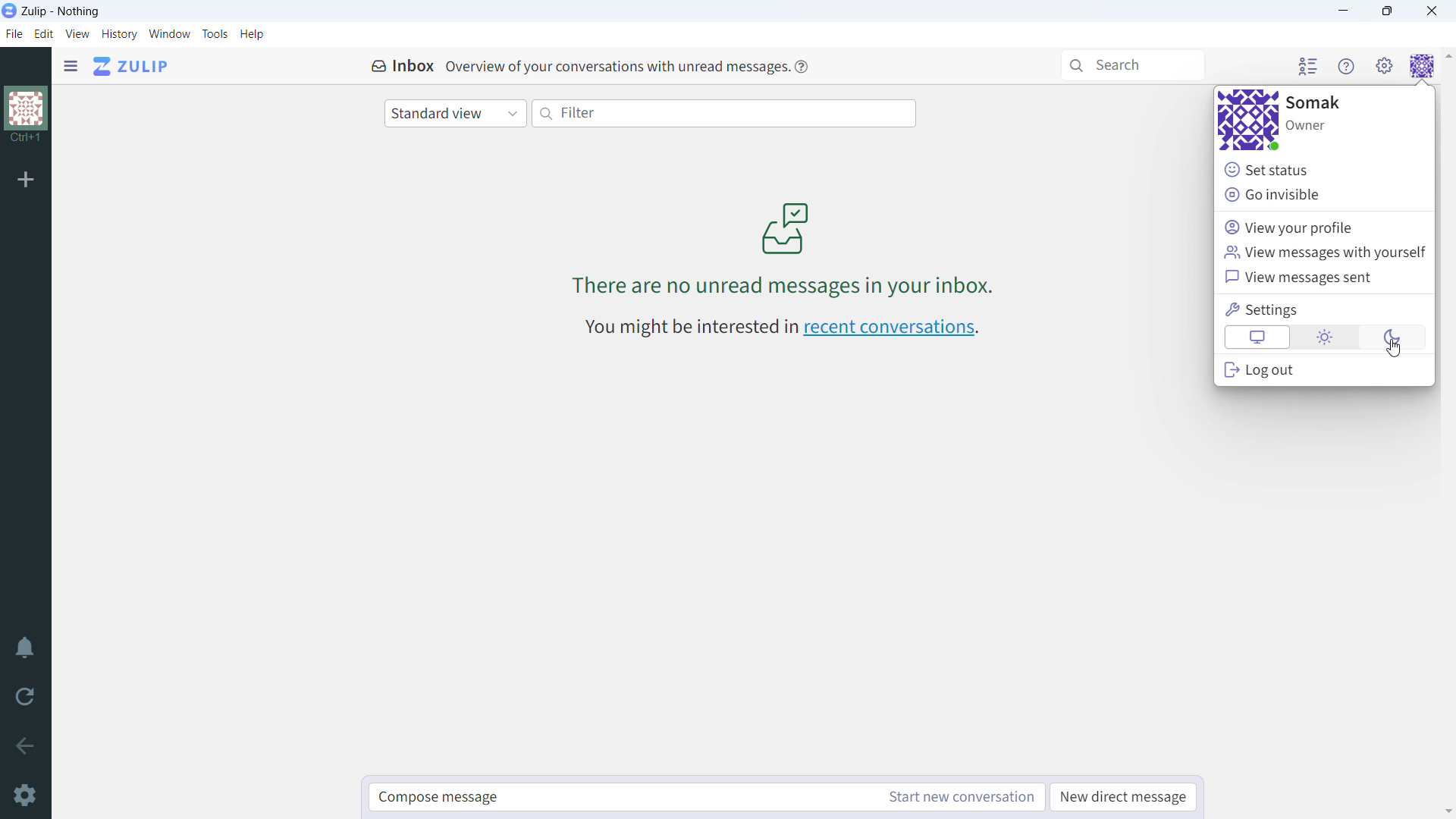  I want to click on edit, so click(44, 34).